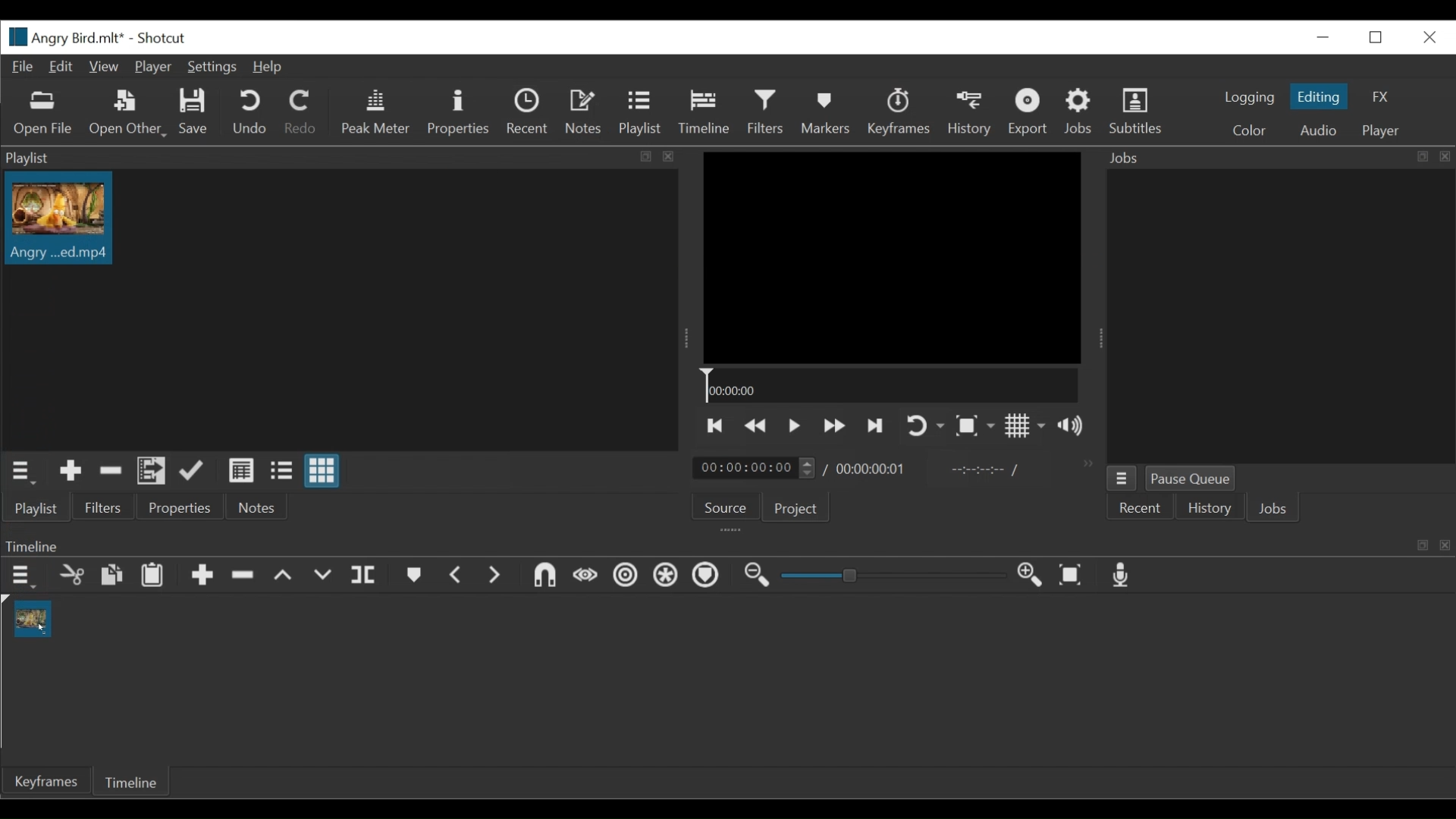 Image resolution: width=1456 pixels, height=819 pixels. I want to click on History, so click(1208, 508).